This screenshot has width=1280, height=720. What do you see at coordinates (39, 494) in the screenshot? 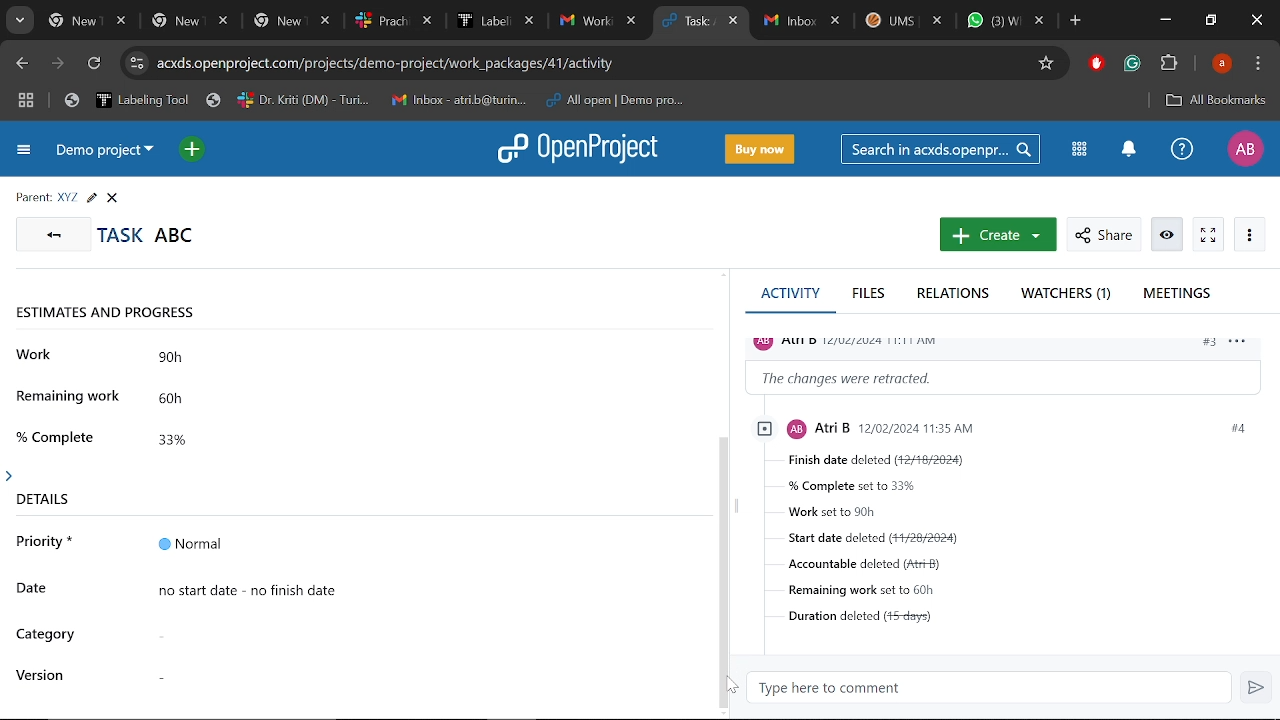
I see `details` at bounding box center [39, 494].